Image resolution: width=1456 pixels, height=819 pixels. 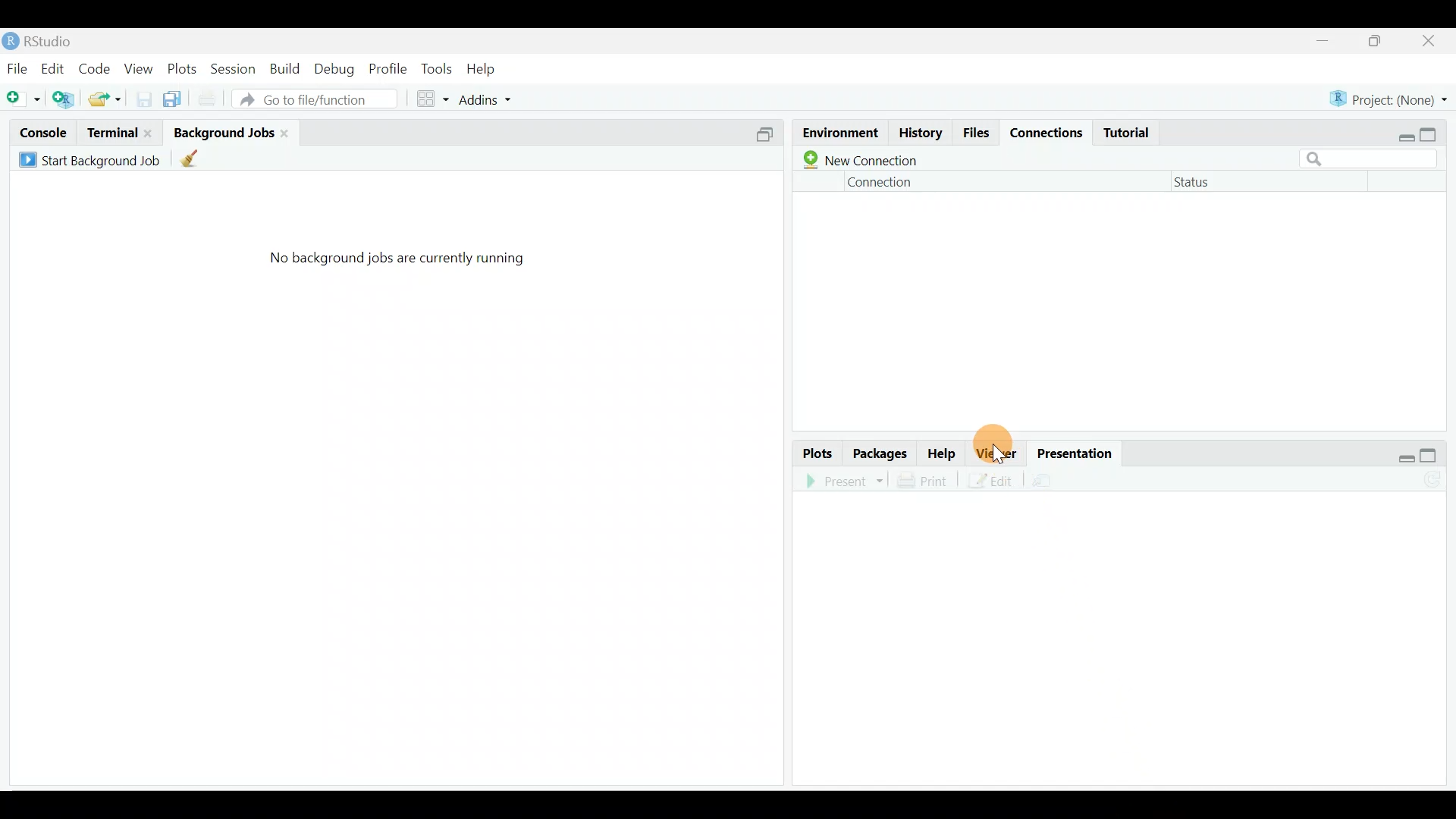 I want to click on Viewer, so click(x=1000, y=453).